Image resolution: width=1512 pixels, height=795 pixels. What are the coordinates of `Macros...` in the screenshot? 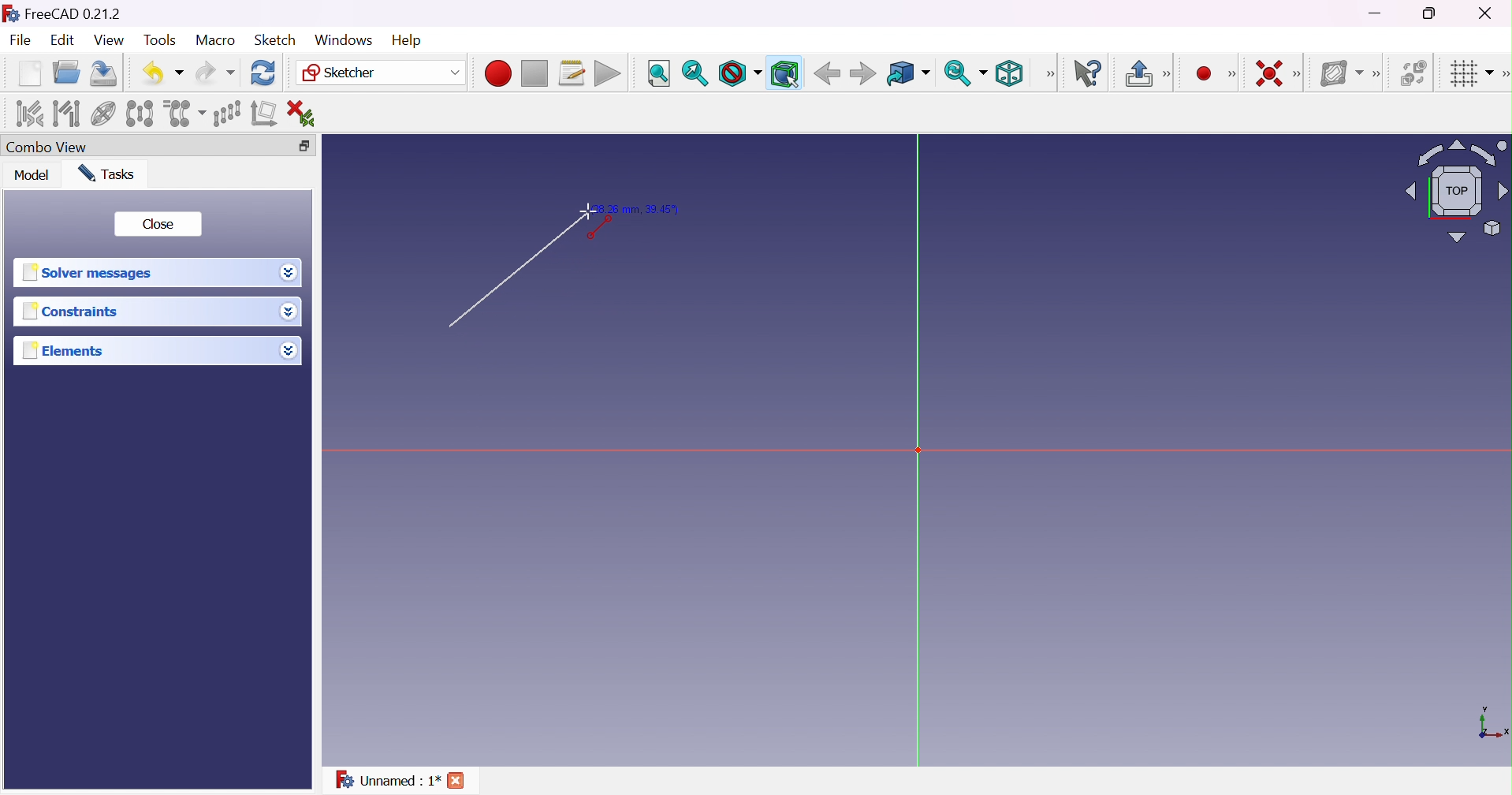 It's located at (572, 73).